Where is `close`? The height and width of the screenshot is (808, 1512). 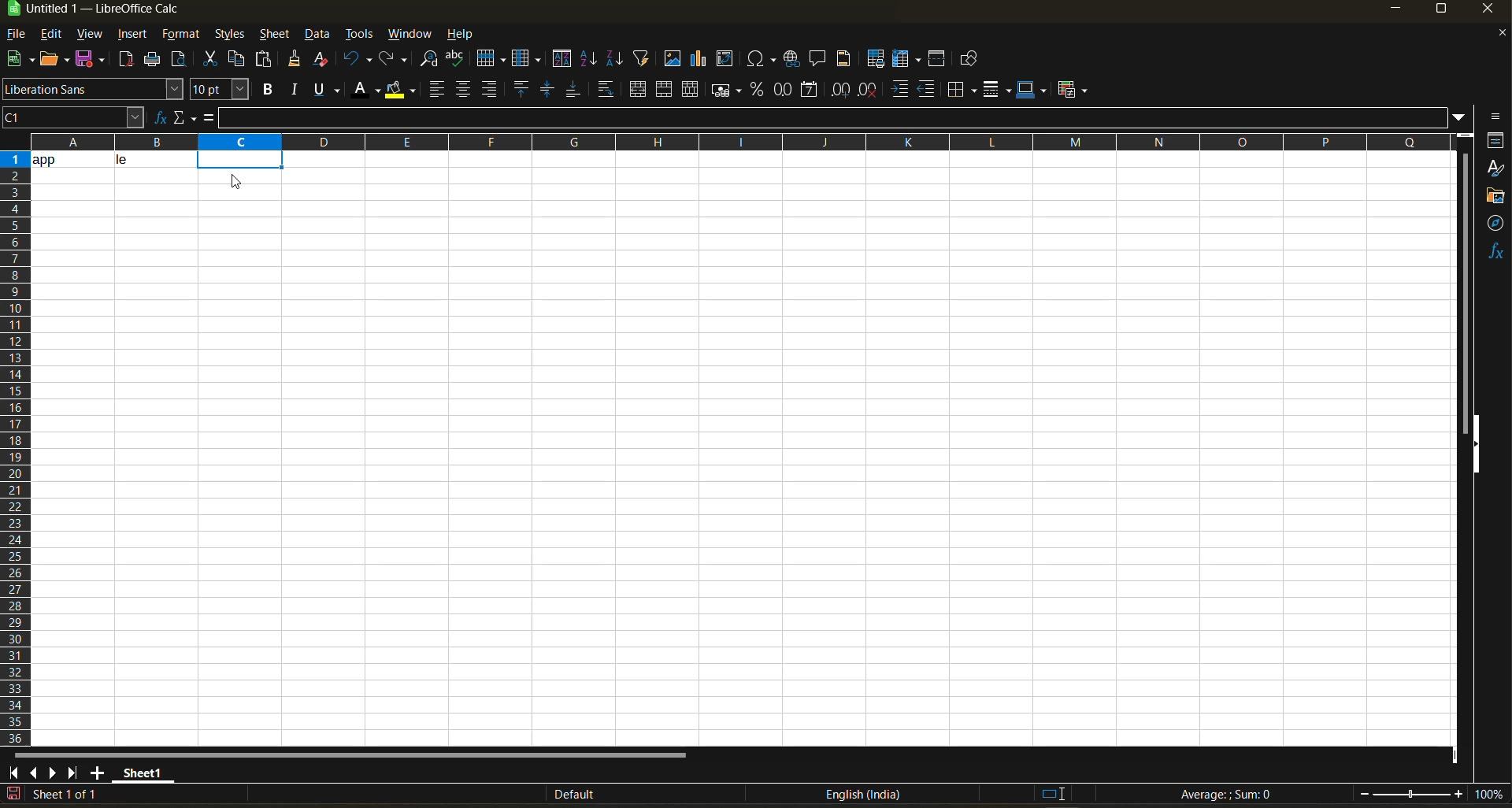
close is located at coordinates (1492, 12).